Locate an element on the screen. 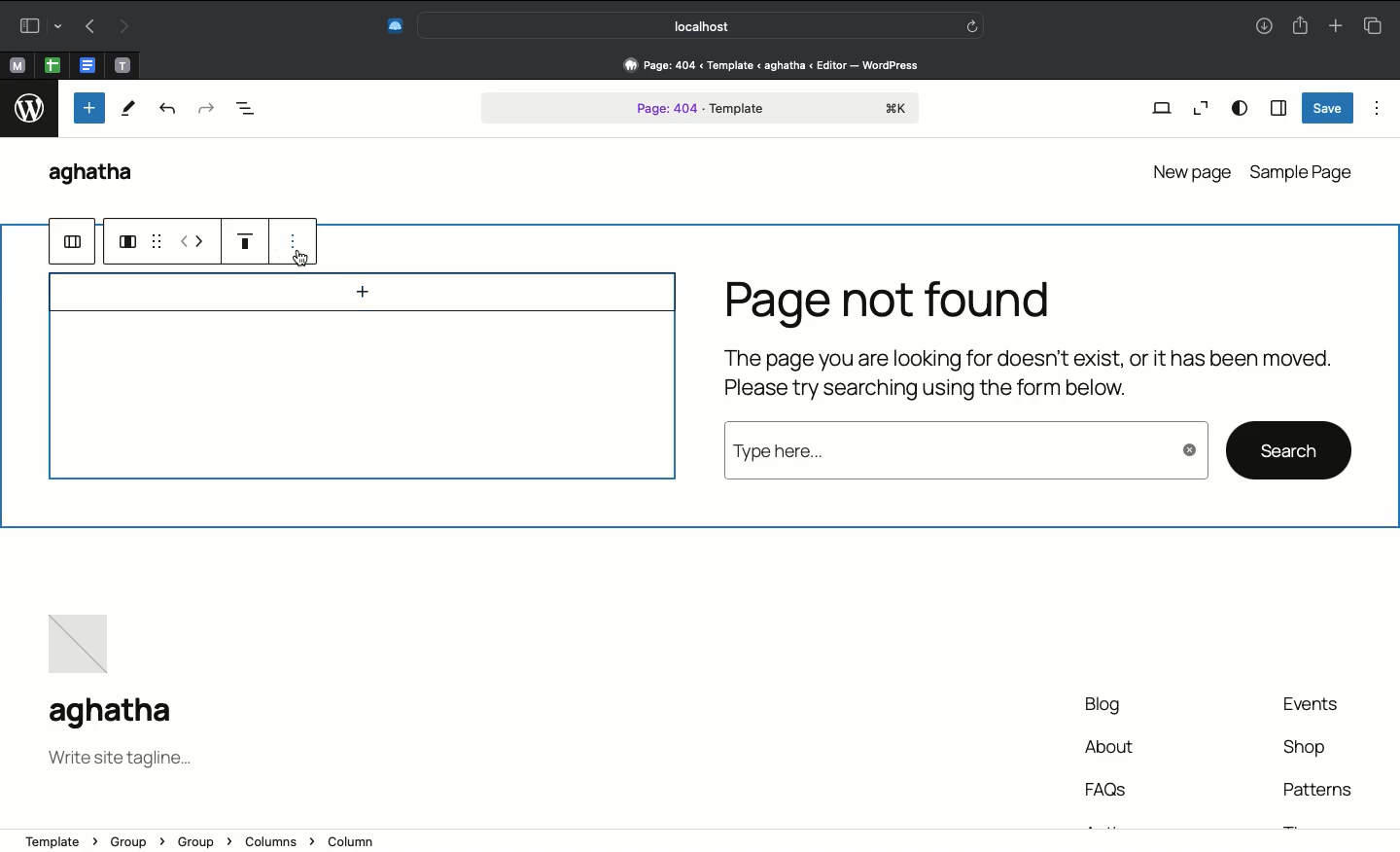 Image resolution: width=1400 pixels, height=852 pixels. search is located at coordinates (1288, 450).